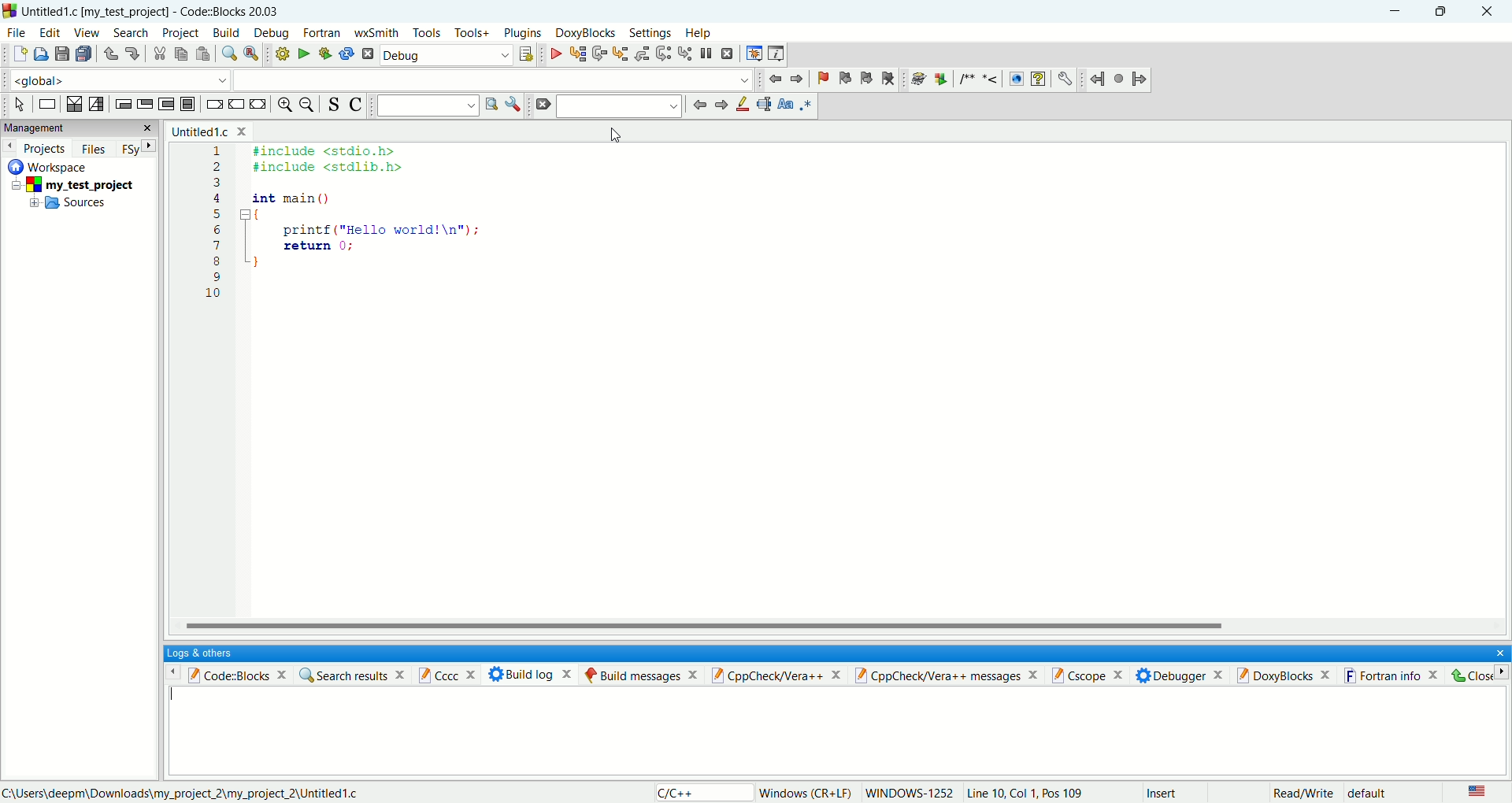 The width and height of the screenshot is (1512, 803). Describe the element at coordinates (640, 675) in the screenshot. I see `build messages` at that location.